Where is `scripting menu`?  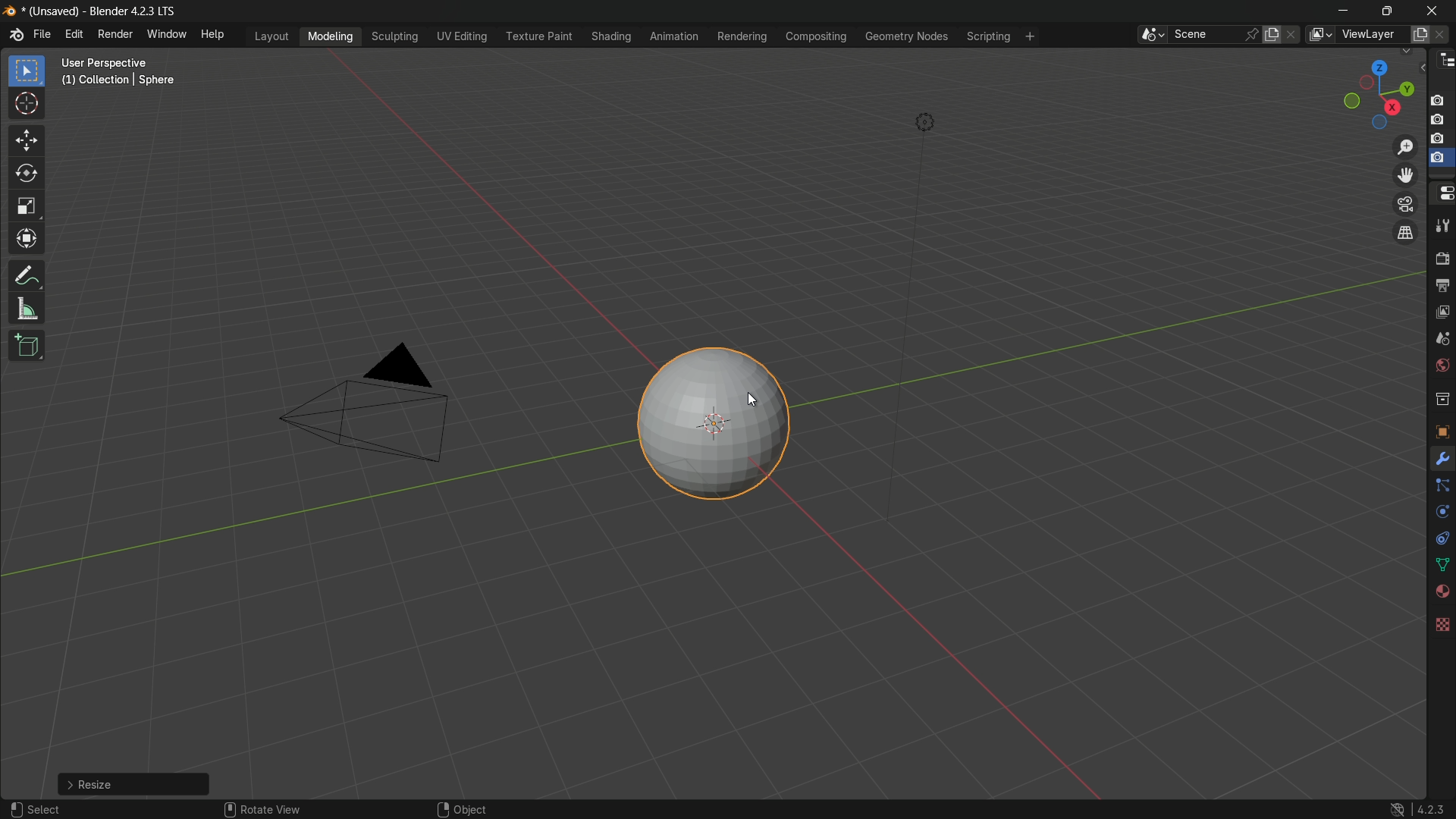
scripting menu is located at coordinates (990, 38).